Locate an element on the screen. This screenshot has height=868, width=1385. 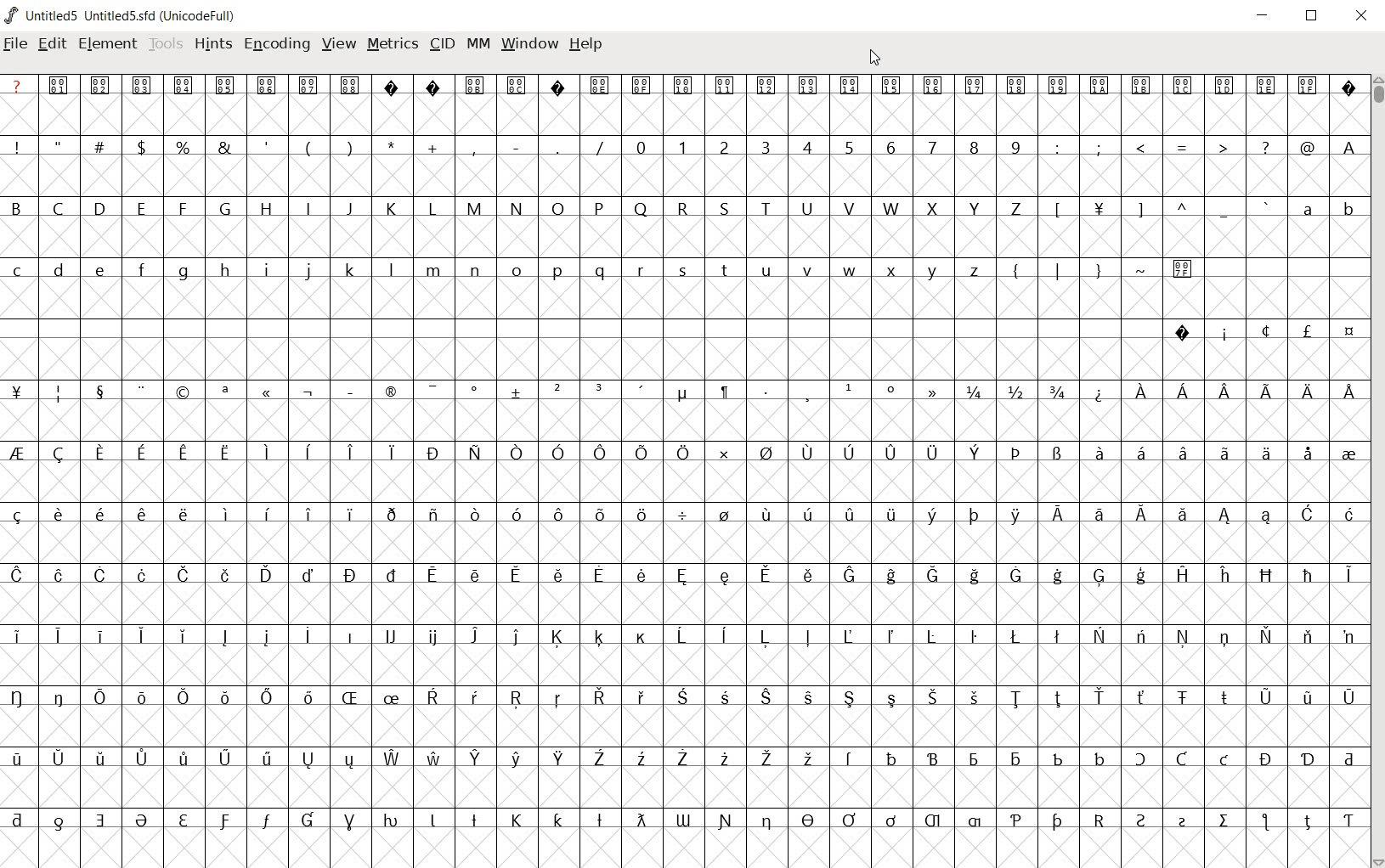
Symbol is located at coordinates (848, 450).